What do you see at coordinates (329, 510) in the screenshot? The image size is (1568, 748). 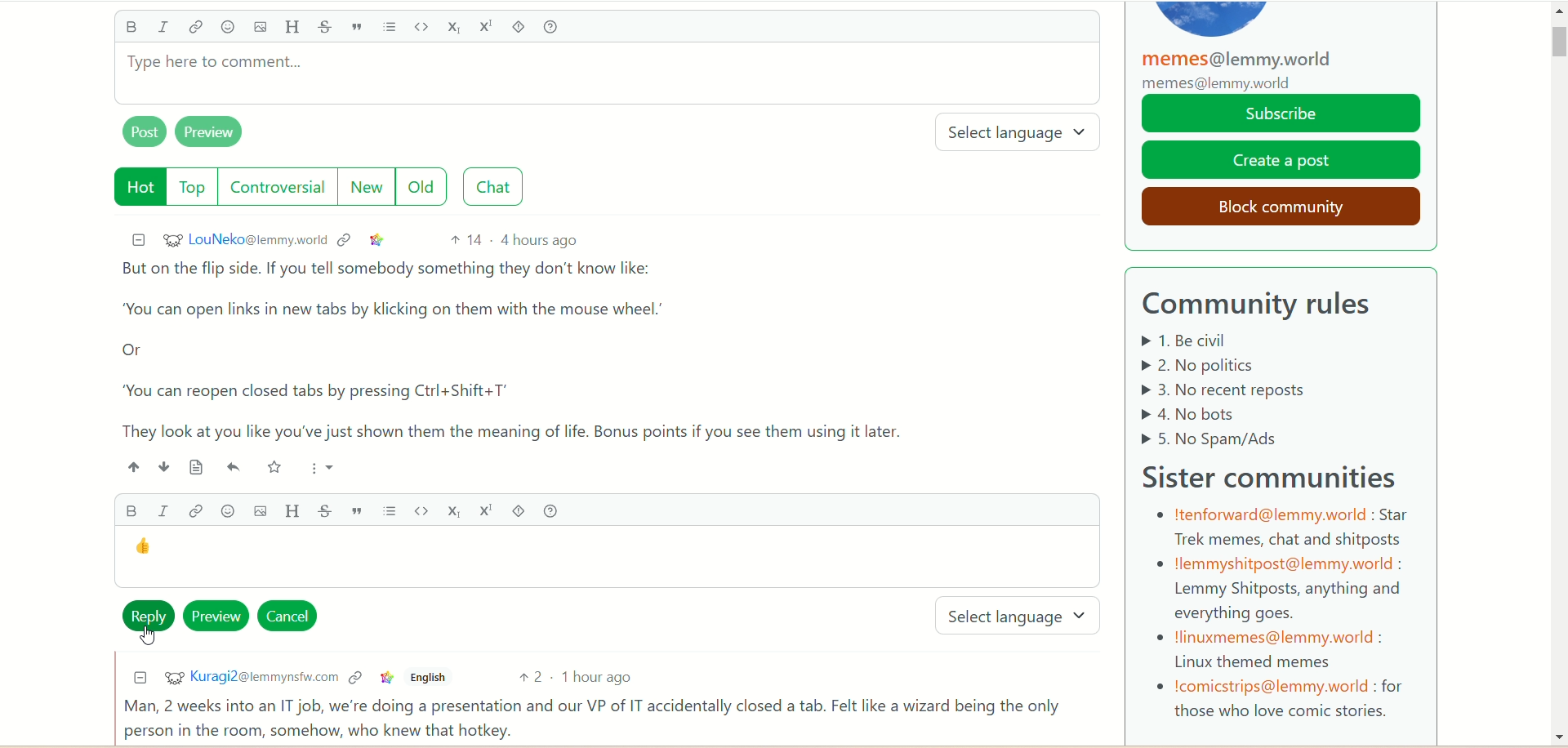 I see `strikethrough` at bounding box center [329, 510].